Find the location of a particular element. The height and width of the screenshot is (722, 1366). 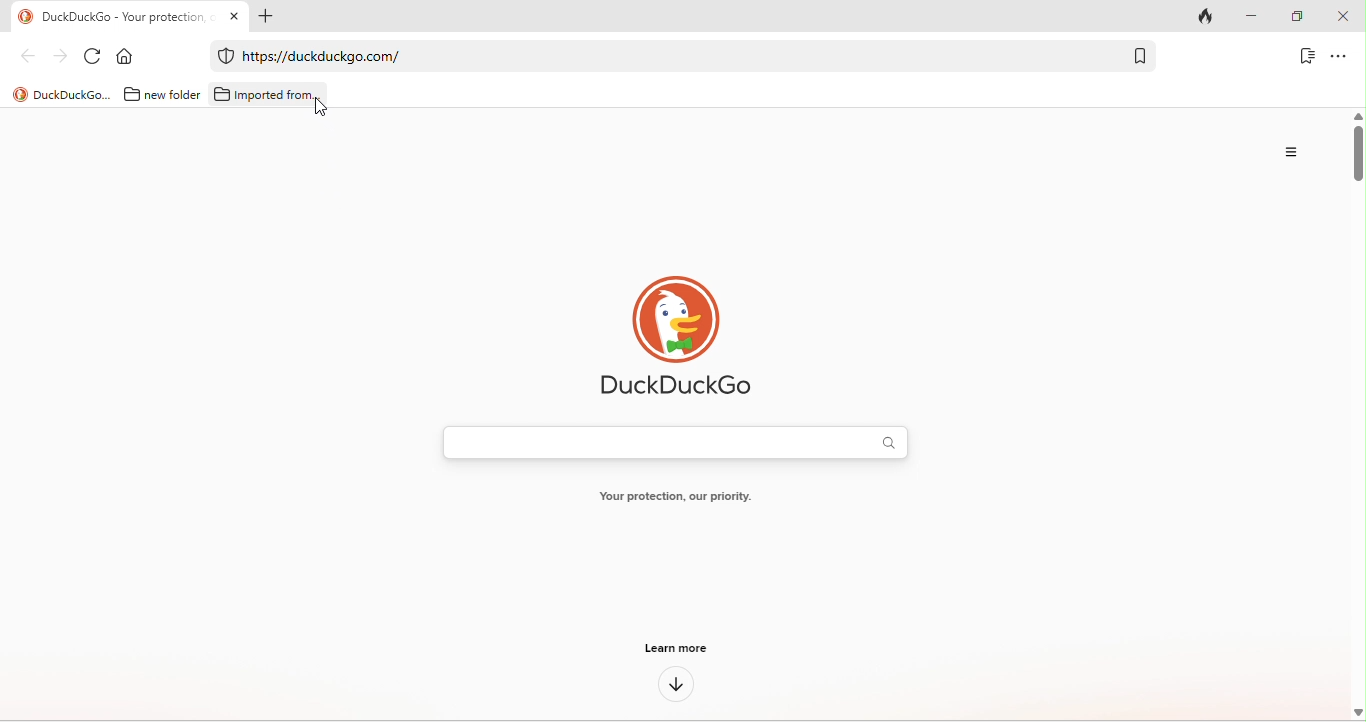

track tab is located at coordinates (1211, 15).